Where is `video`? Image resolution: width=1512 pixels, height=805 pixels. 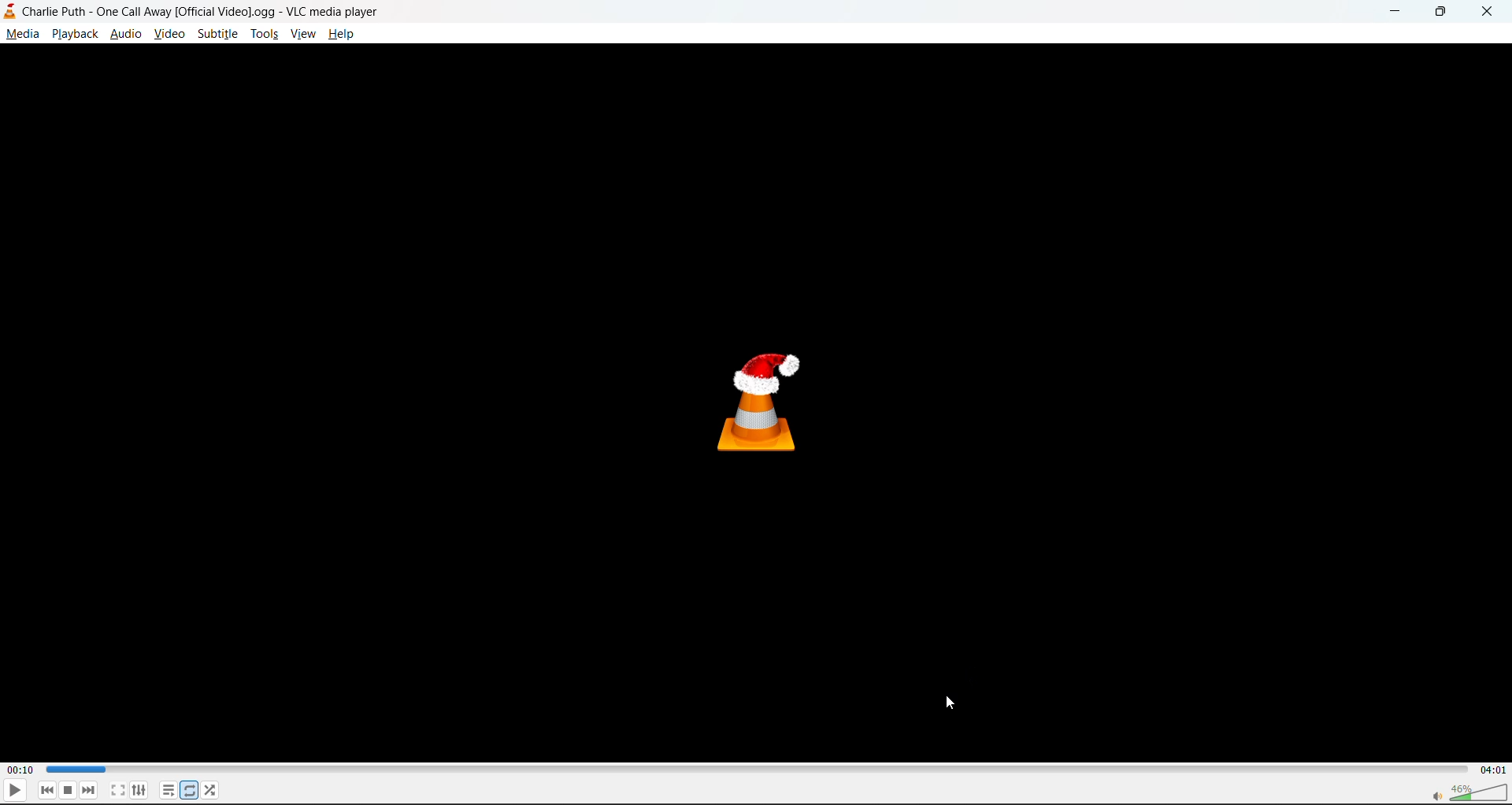 video is located at coordinates (172, 35).